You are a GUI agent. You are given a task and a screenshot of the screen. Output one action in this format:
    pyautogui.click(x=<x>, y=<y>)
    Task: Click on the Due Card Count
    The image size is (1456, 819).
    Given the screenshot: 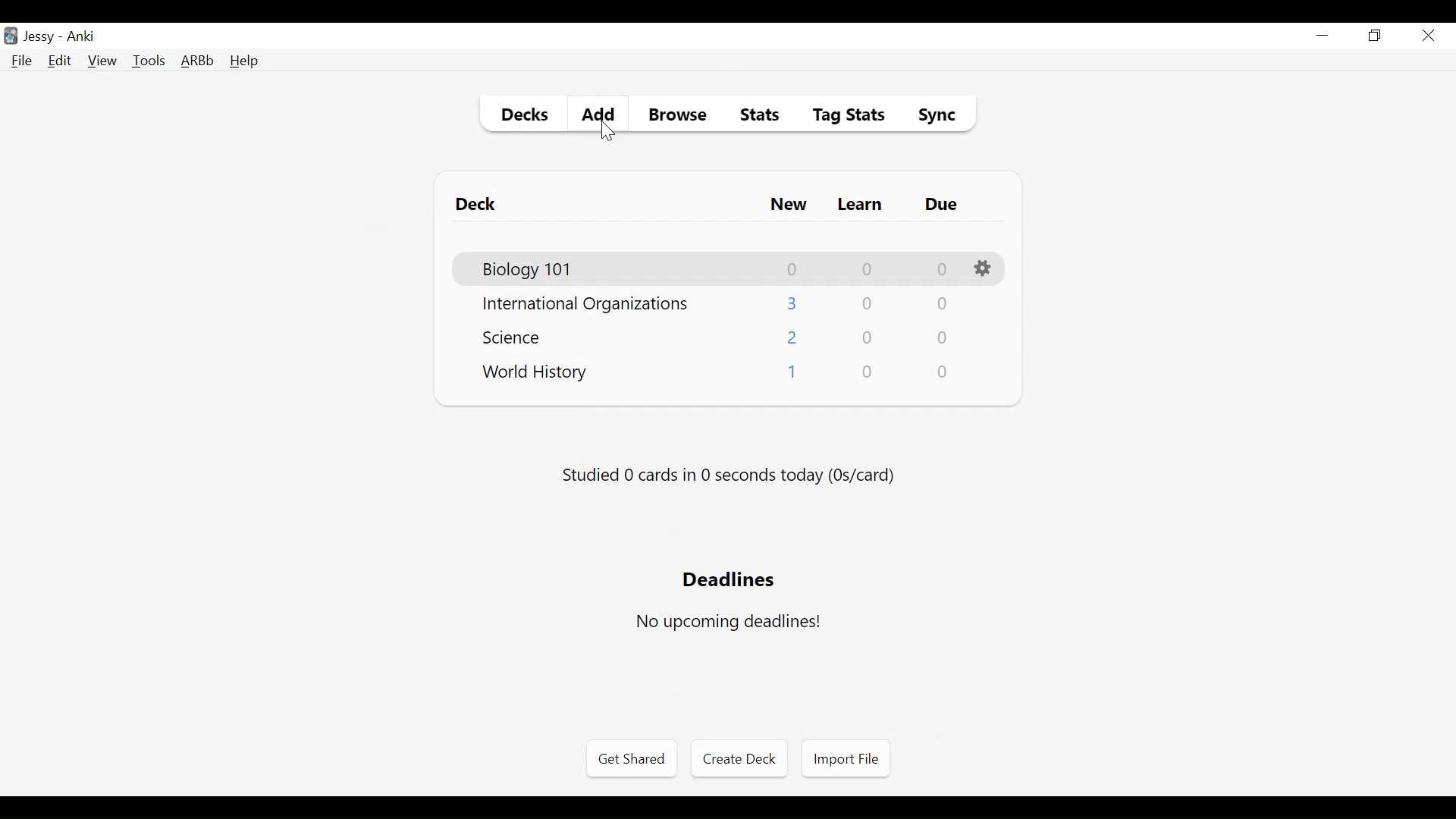 What is the action you would take?
    pyautogui.click(x=941, y=306)
    